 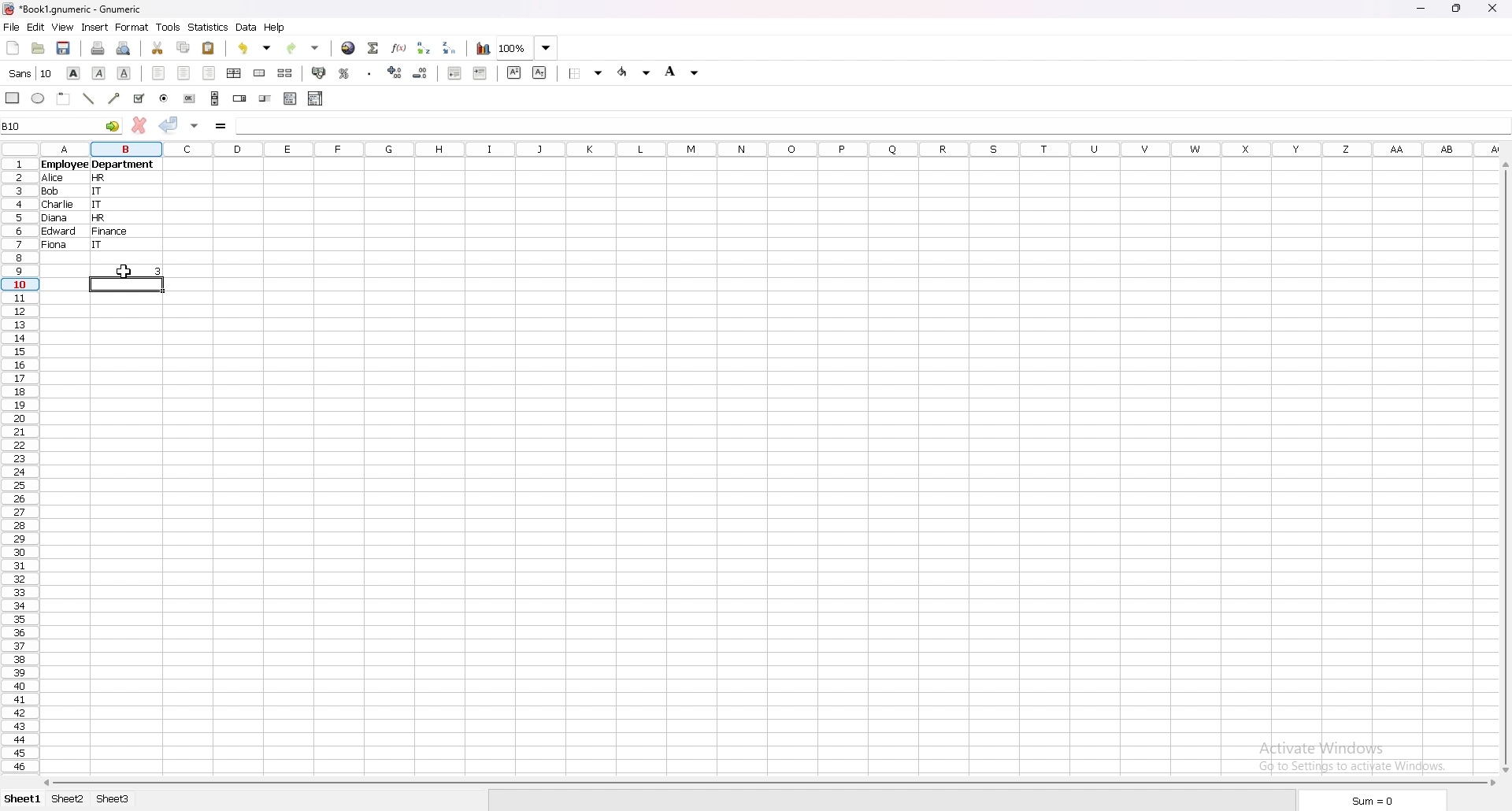 What do you see at coordinates (101, 246) in the screenshot?
I see `IT` at bounding box center [101, 246].